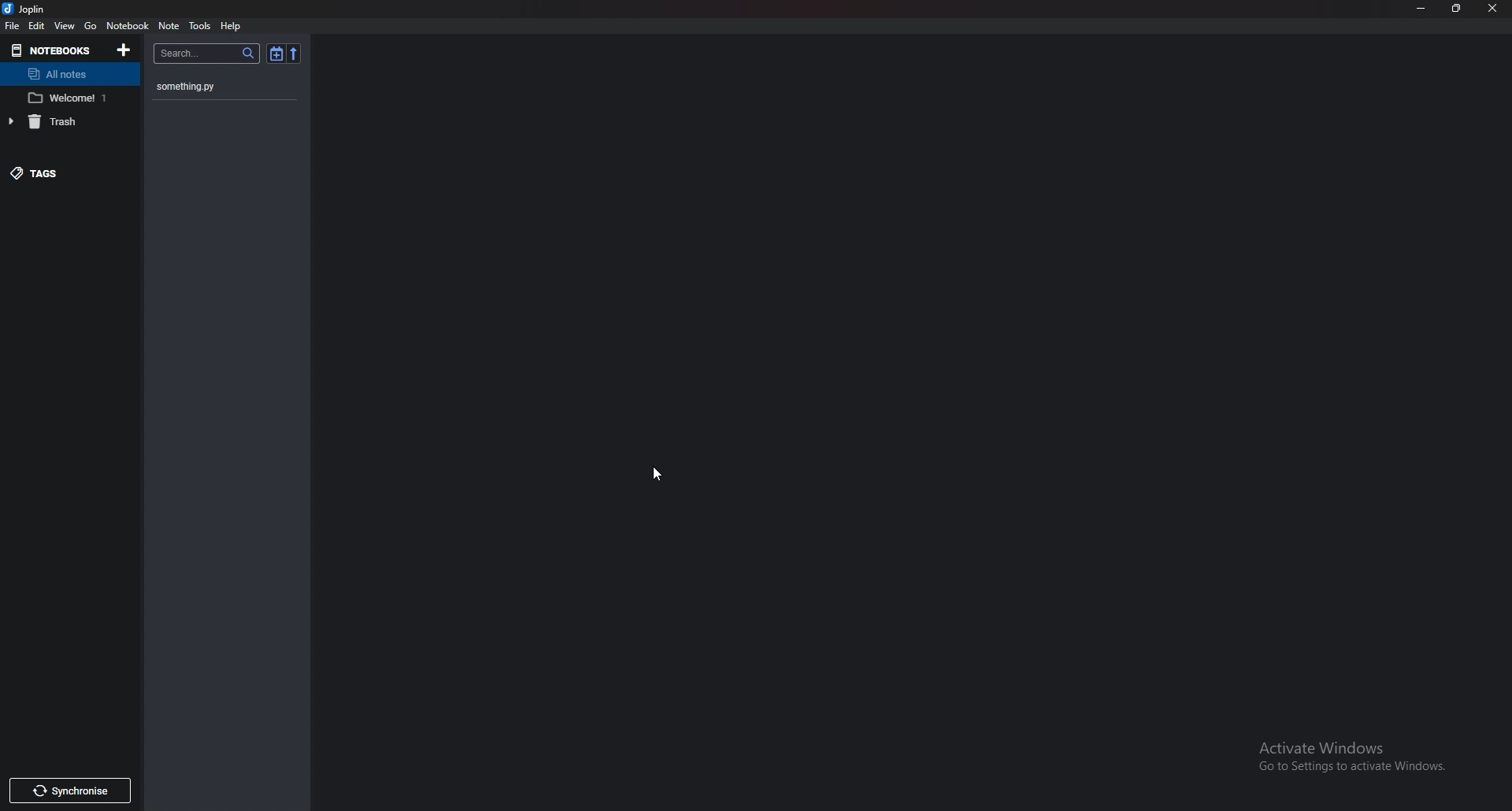 The image size is (1512, 811). I want to click on Synchronize, so click(69, 791).